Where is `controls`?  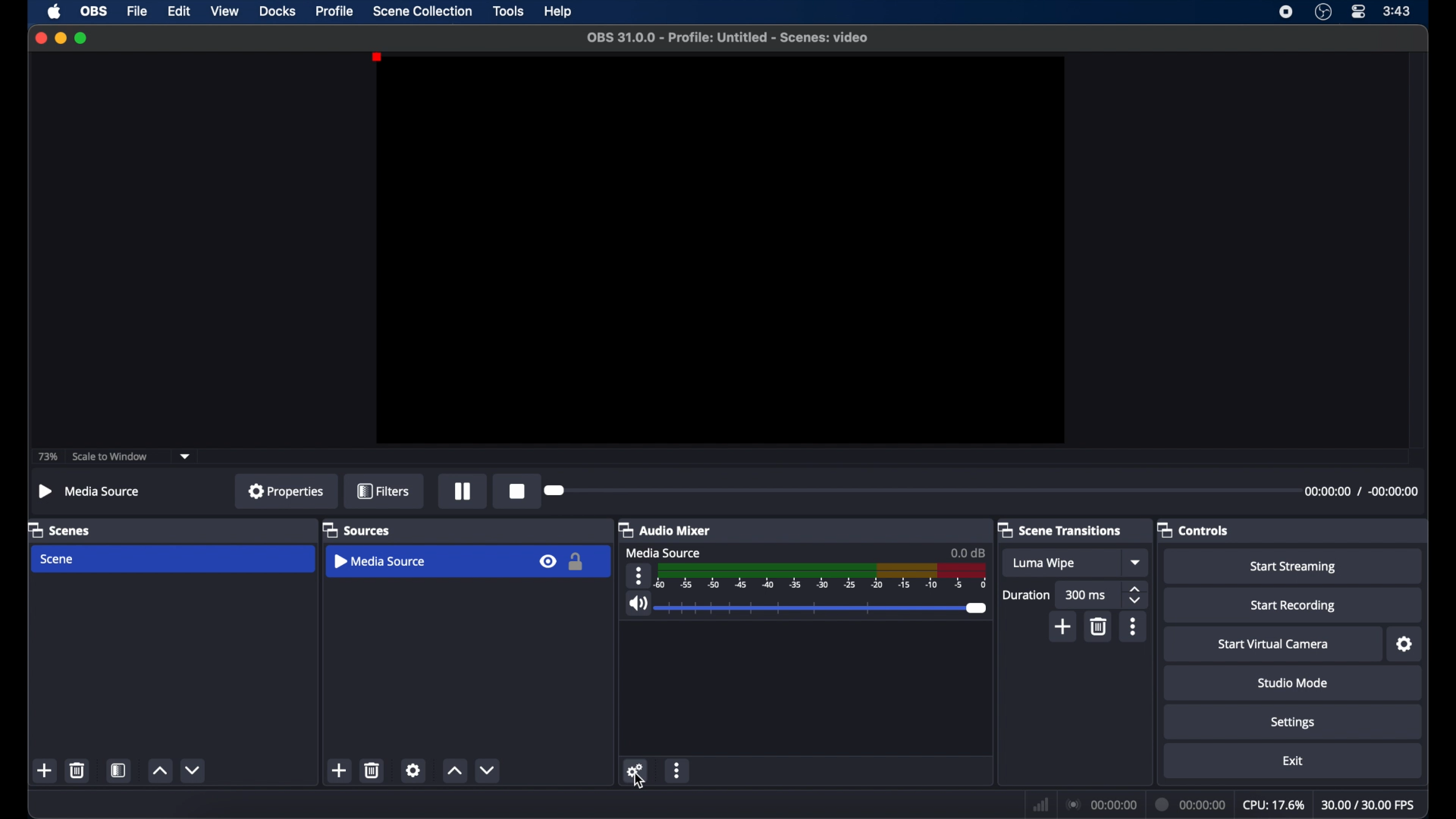
controls is located at coordinates (1193, 530).